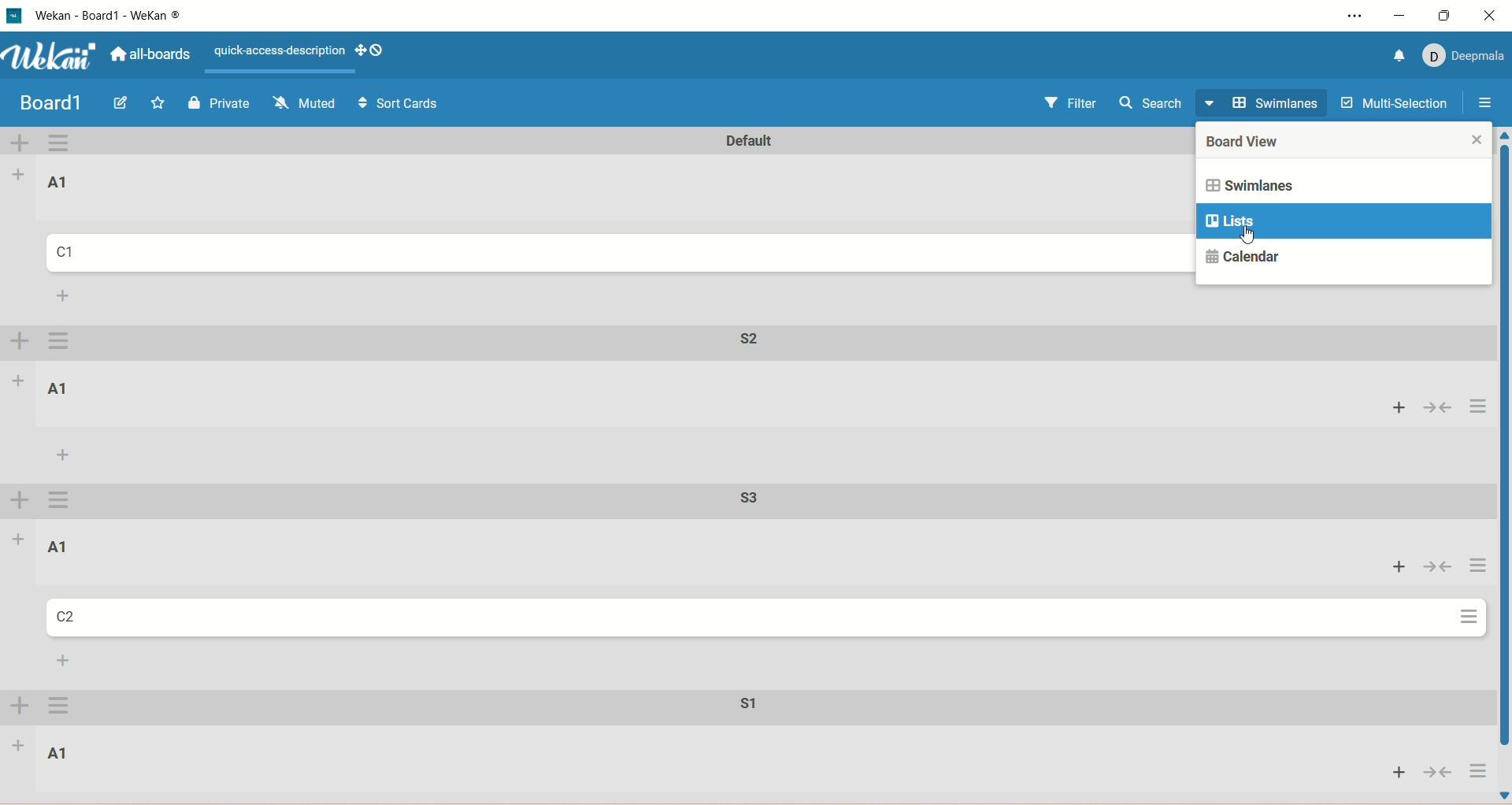 This screenshot has width=1512, height=805. I want to click on add, so click(1392, 772).